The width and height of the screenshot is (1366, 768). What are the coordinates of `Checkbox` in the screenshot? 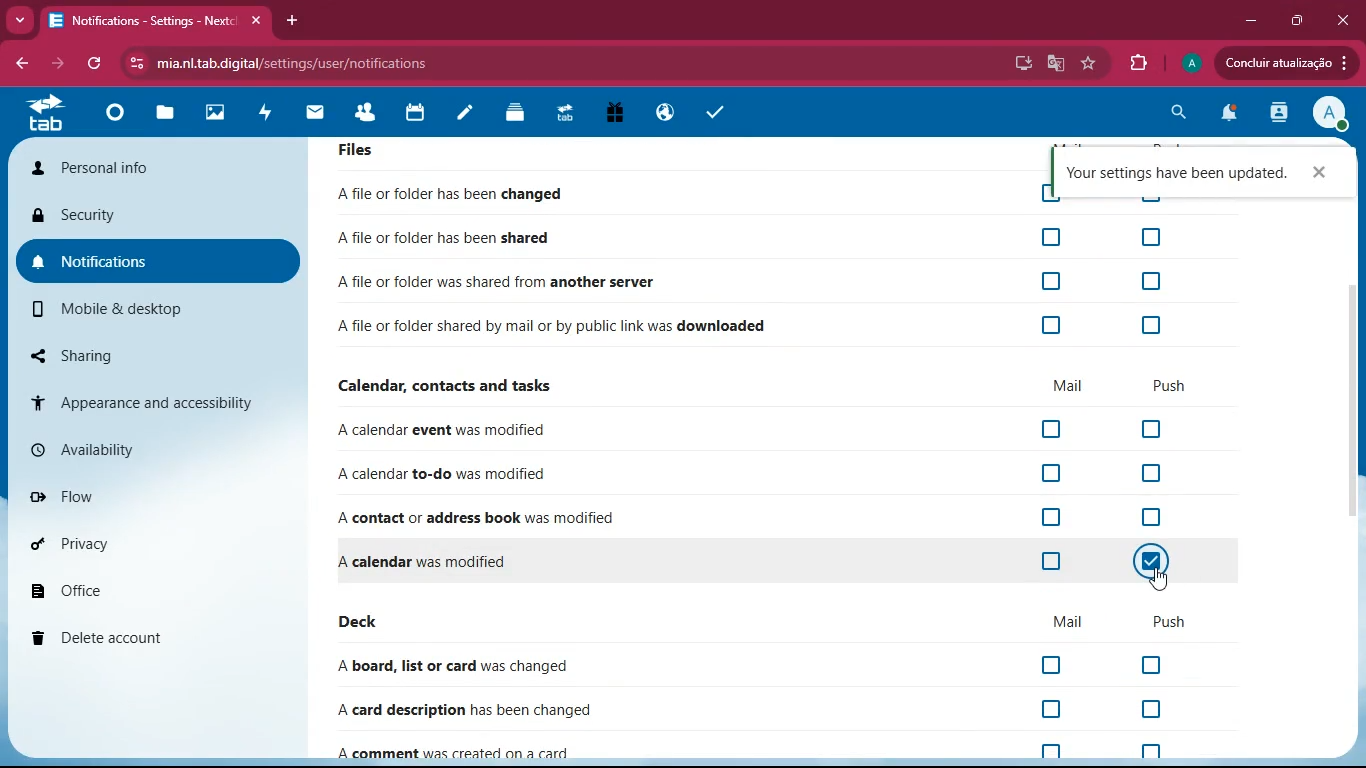 It's located at (1055, 282).